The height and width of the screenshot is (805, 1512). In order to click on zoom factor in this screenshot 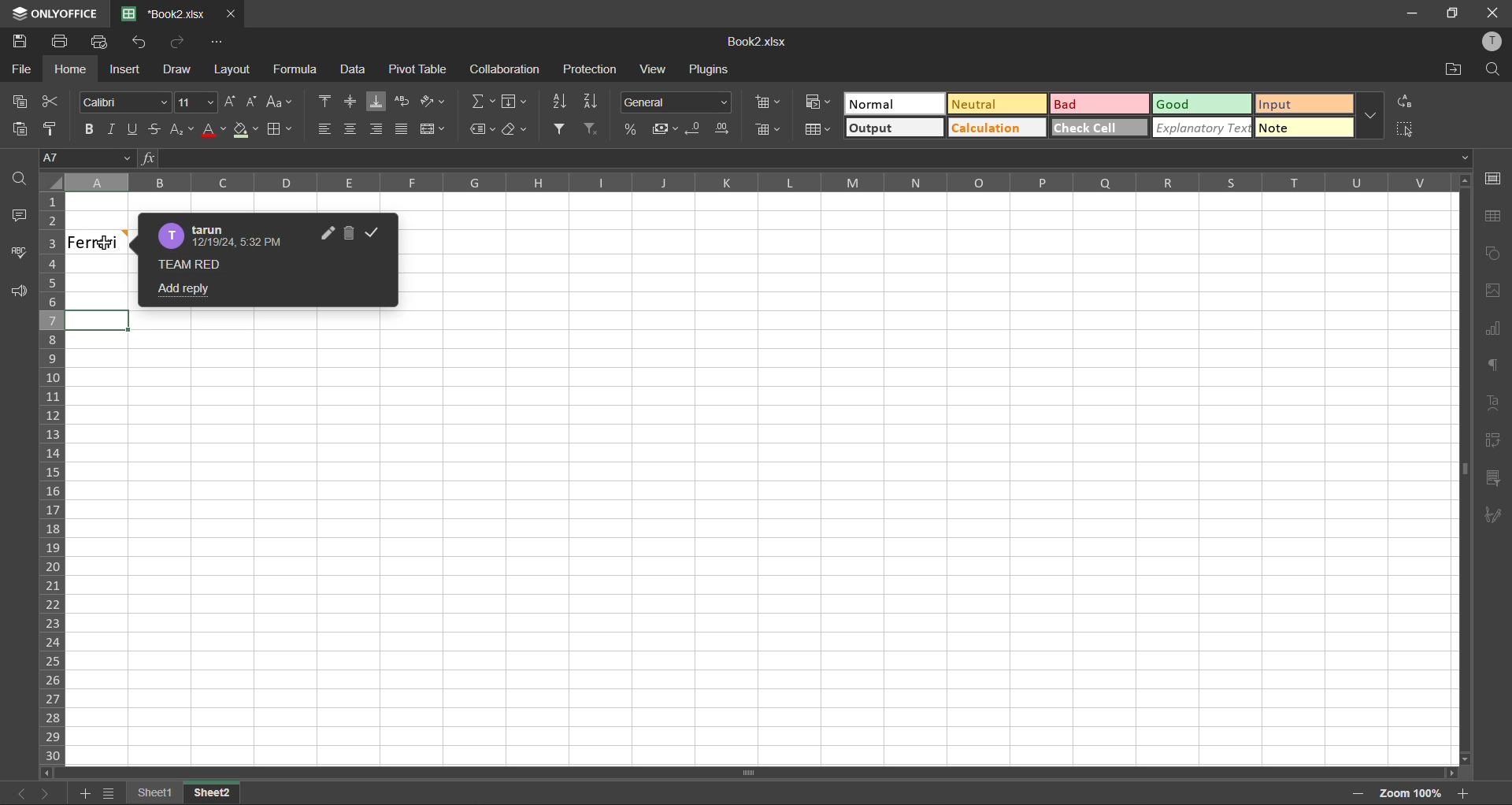, I will do `click(1405, 793)`.